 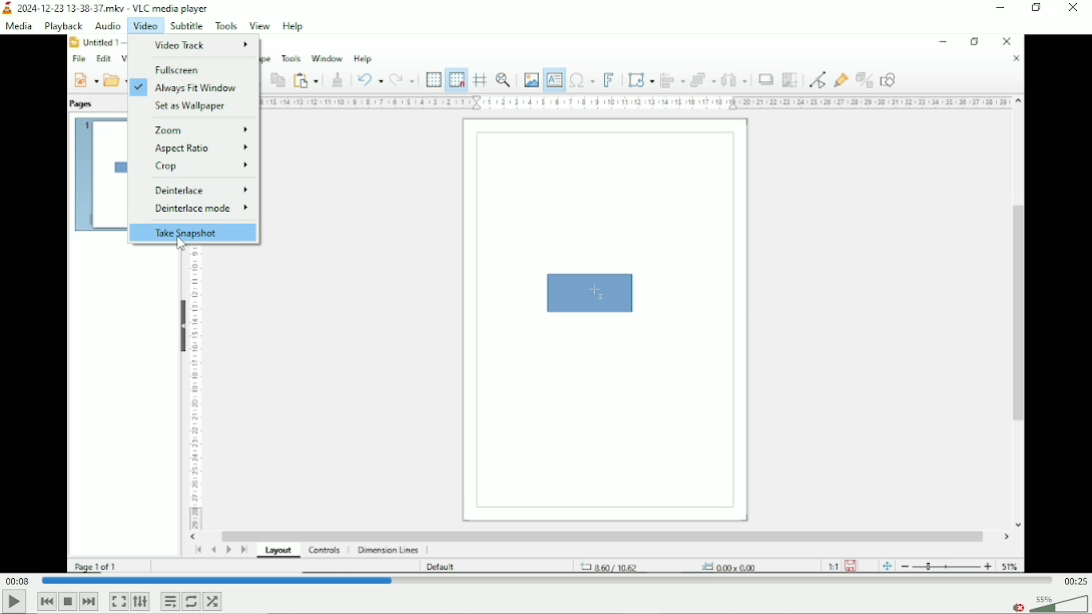 What do you see at coordinates (119, 601) in the screenshot?
I see `Toggle video in fullscreen` at bounding box center [119, 601].